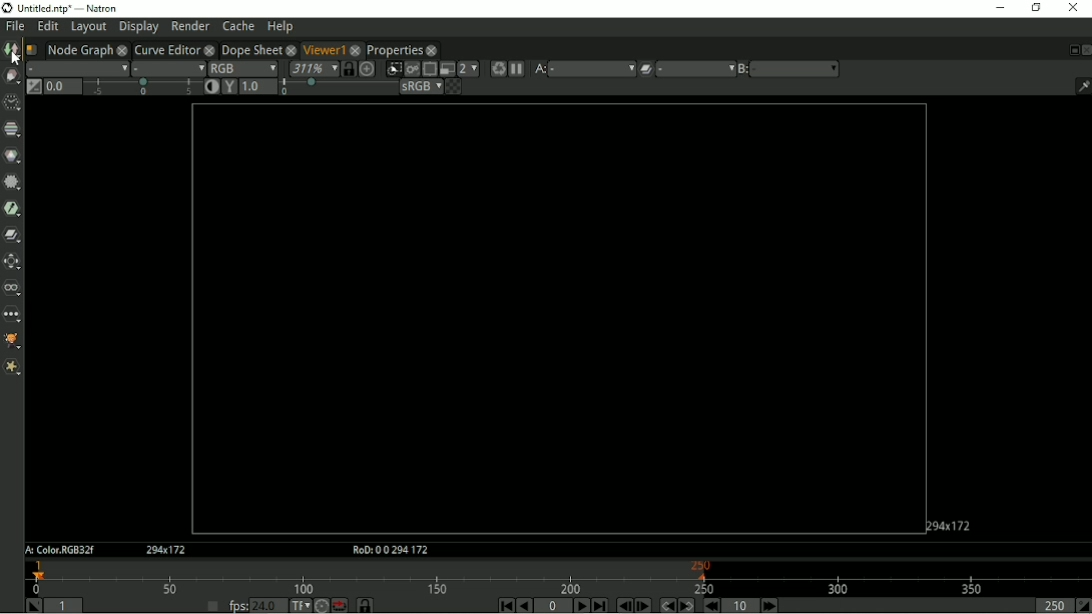 The height and width of the screenshot is (614, 1092). Describe the element at coordinates (337, 88) in the screenshot. I see `selection bar` at that location.